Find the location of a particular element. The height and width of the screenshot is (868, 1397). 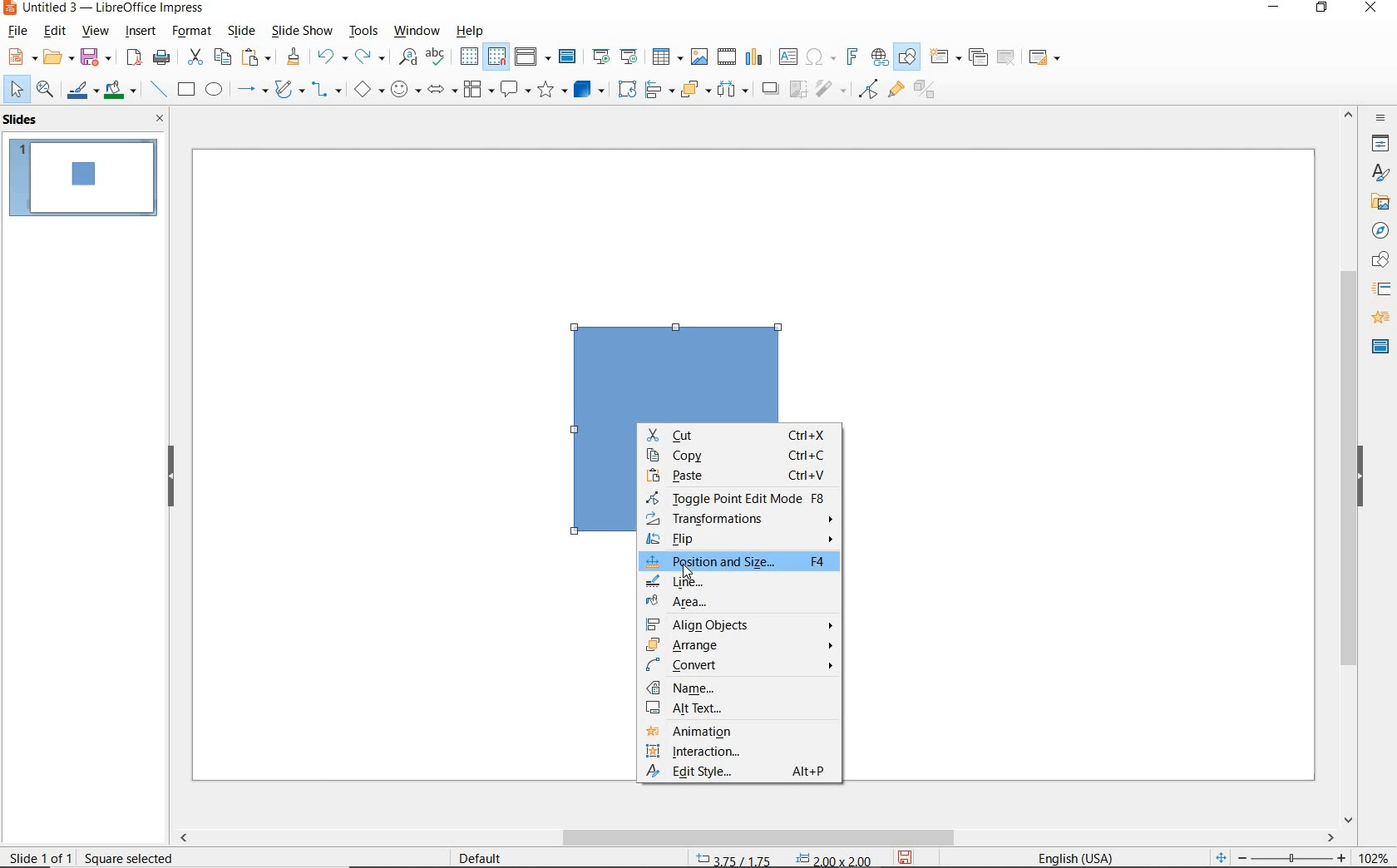

shadow is located at coordinates (771, 89).